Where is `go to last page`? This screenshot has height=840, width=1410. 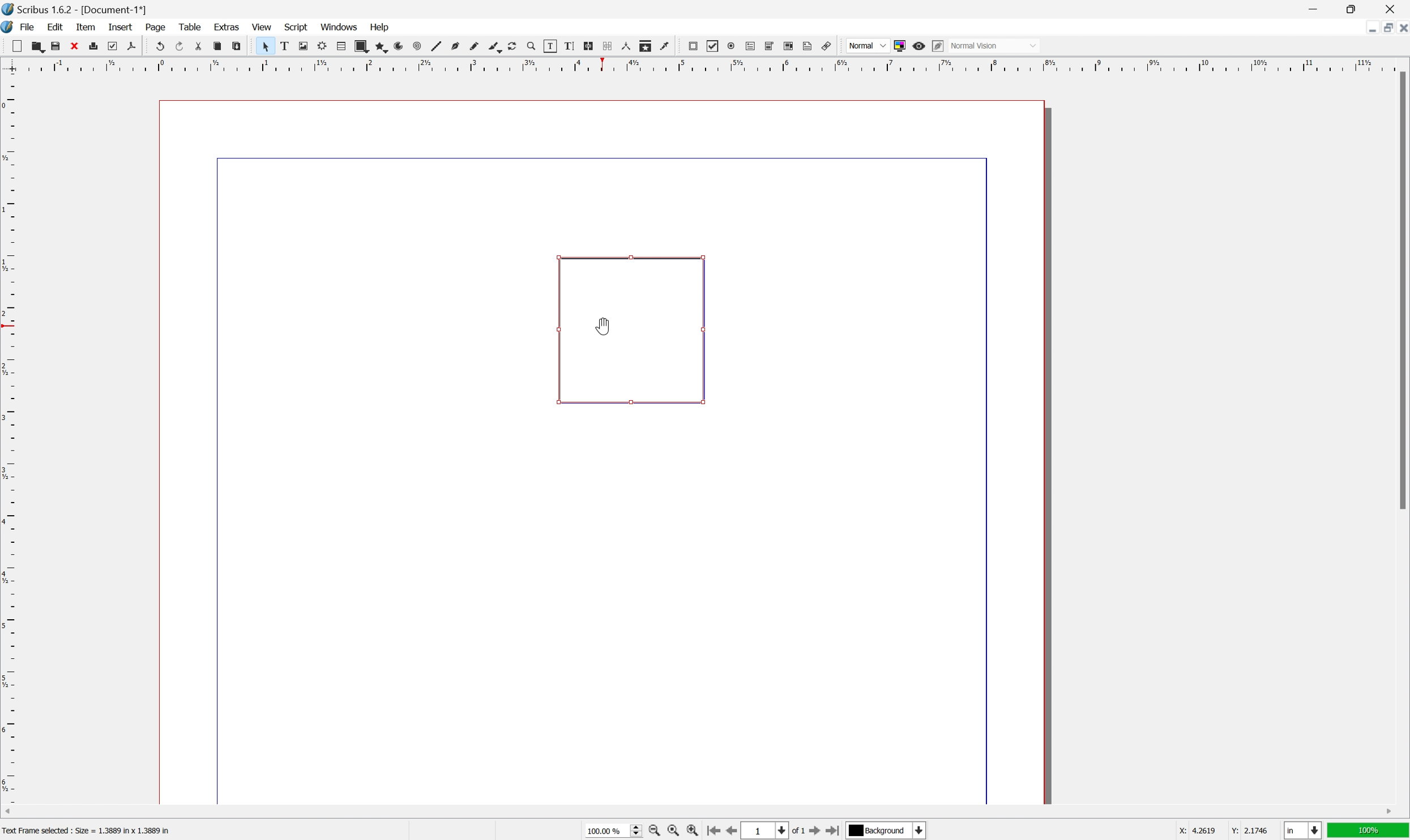 go to last page is located at coordinates (835, 830).